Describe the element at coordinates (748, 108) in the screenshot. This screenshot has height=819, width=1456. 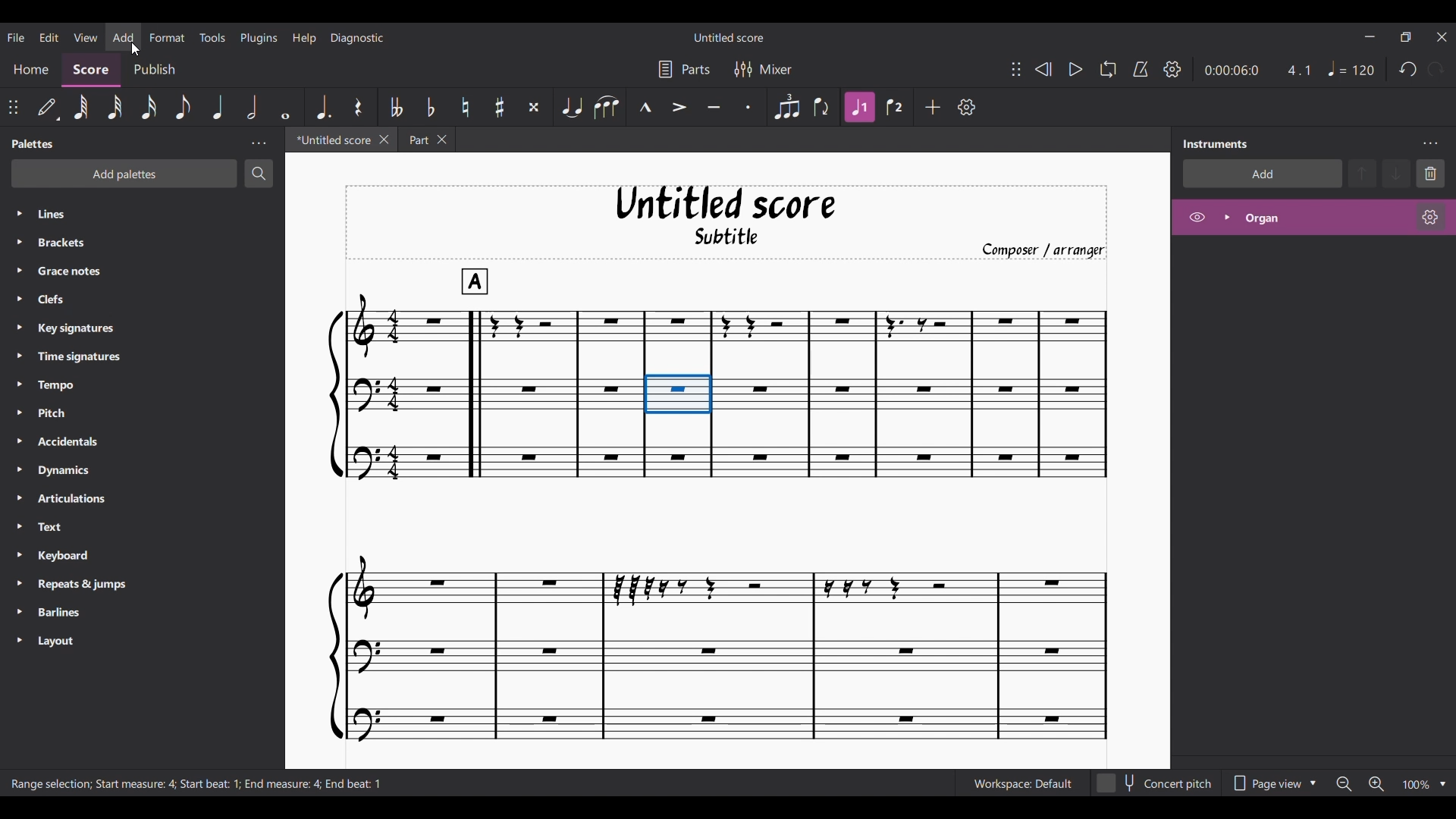
I see `Staccato` at that location.